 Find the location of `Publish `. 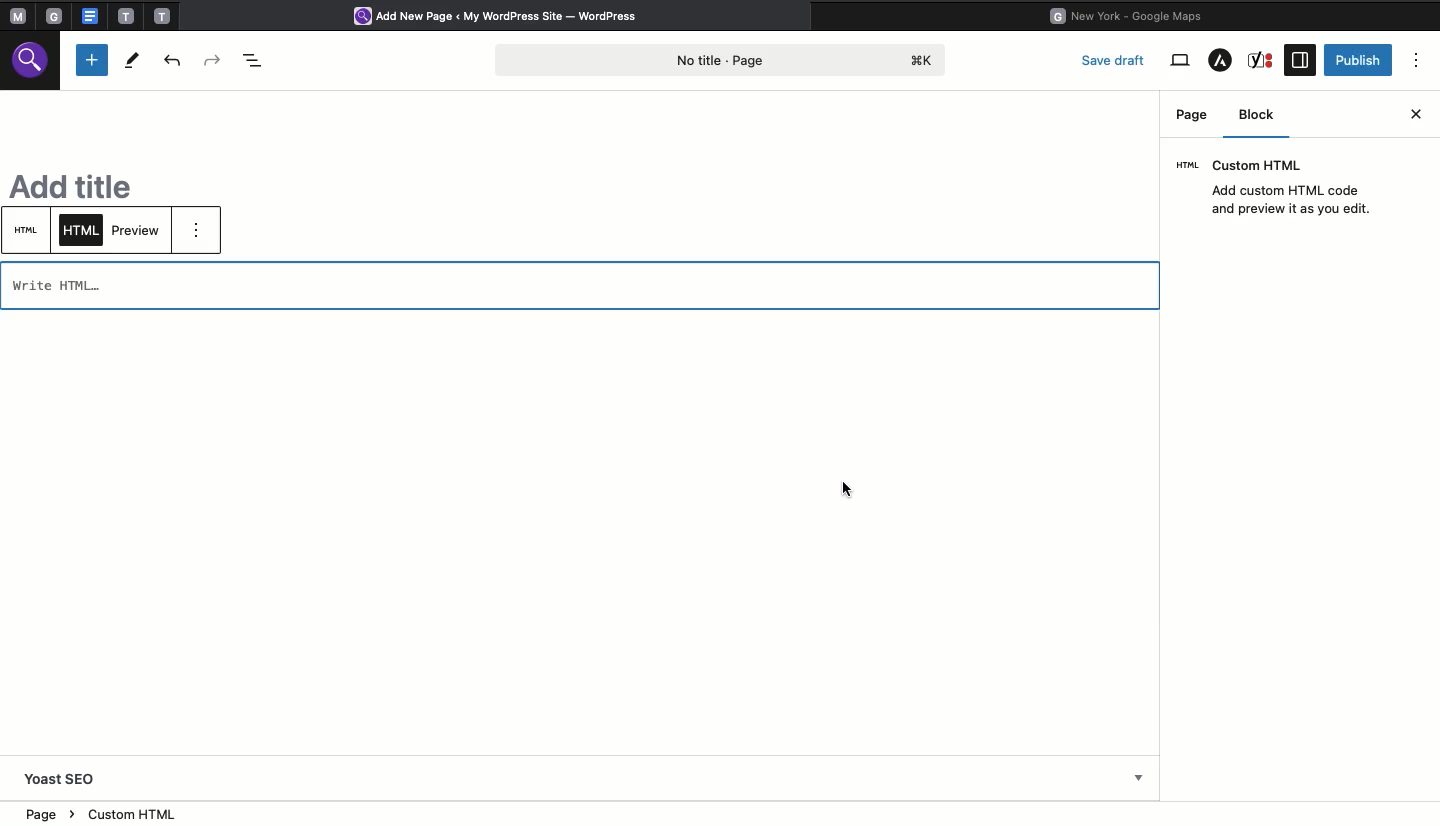

Publish  is located at coordinates (1359, 59).